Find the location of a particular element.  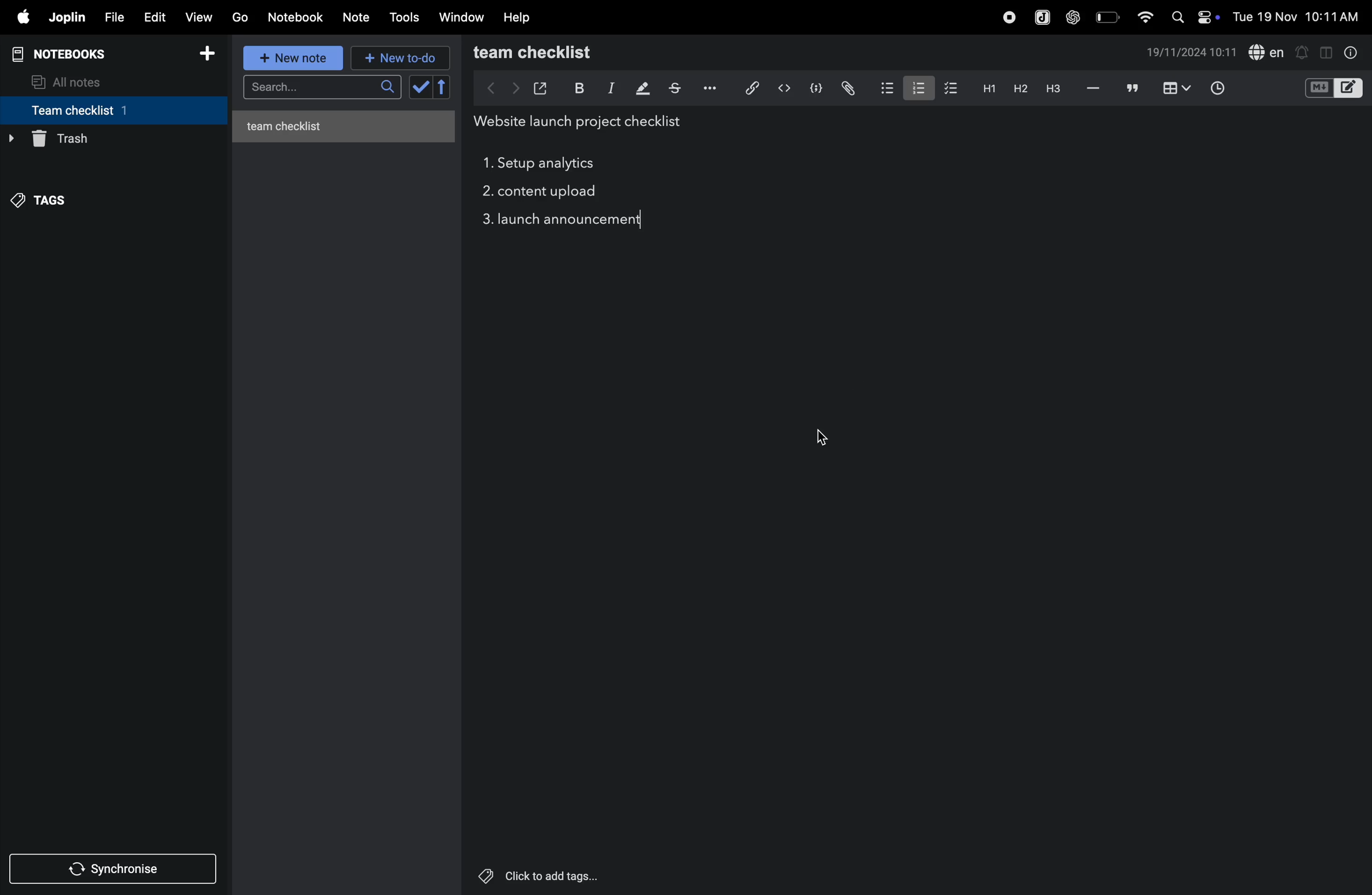

editor layout is located at coordinates (1350, 87).